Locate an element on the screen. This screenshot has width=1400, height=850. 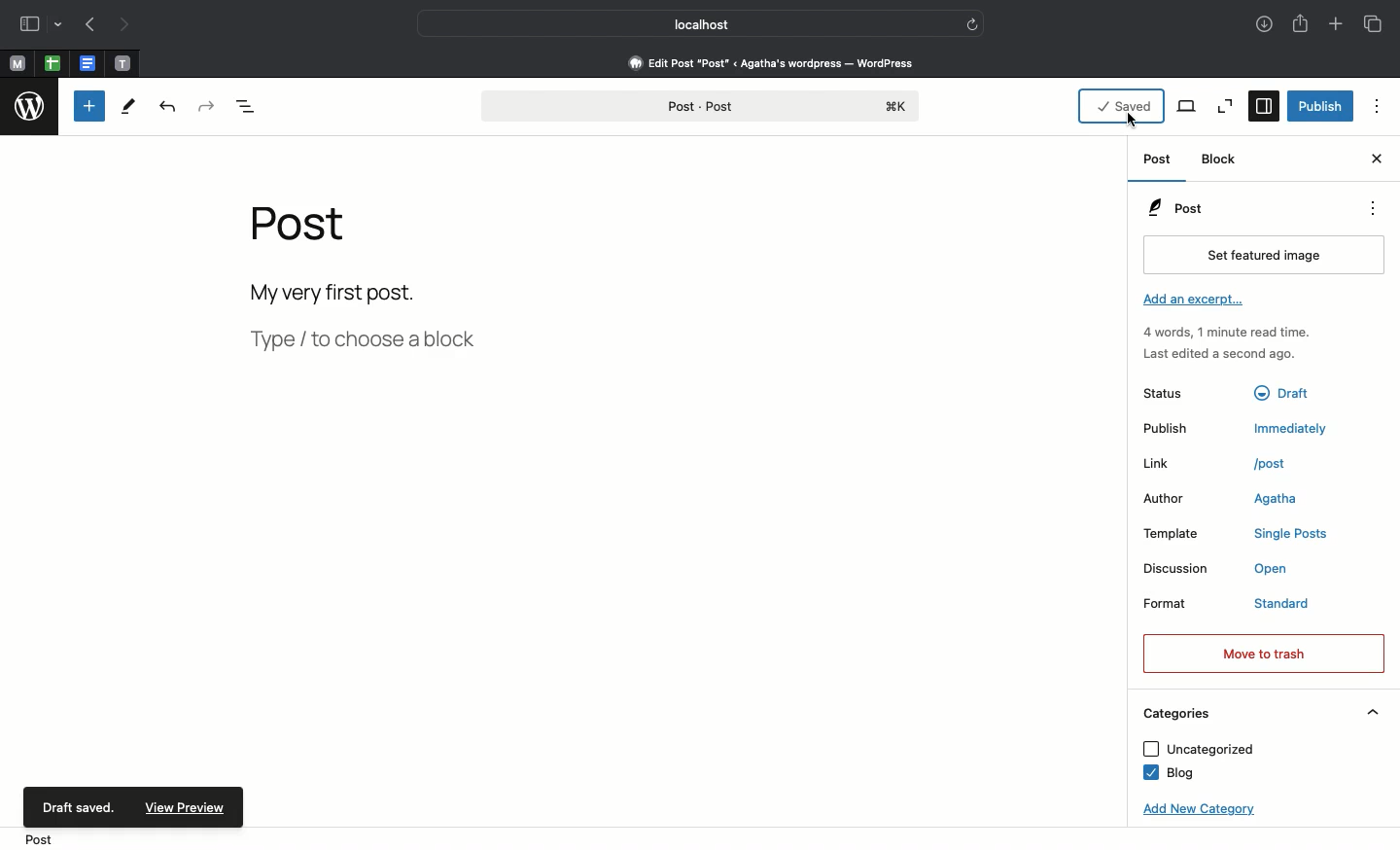
Pinned tab is located at coordinates (122, 62).